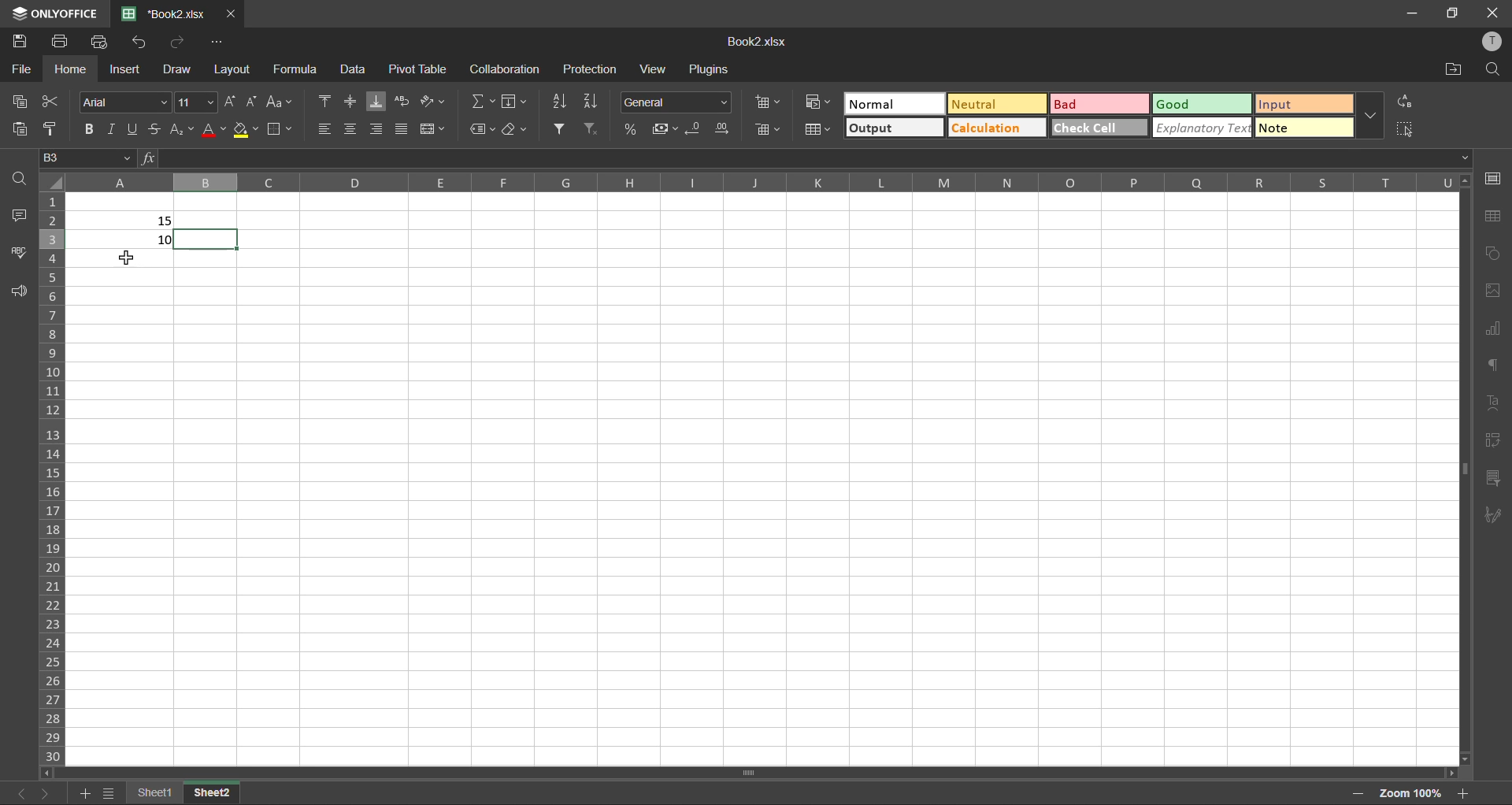  Describe the element at coordinates (1358, 792) in the screenshot. I see `zoom out` at that location.